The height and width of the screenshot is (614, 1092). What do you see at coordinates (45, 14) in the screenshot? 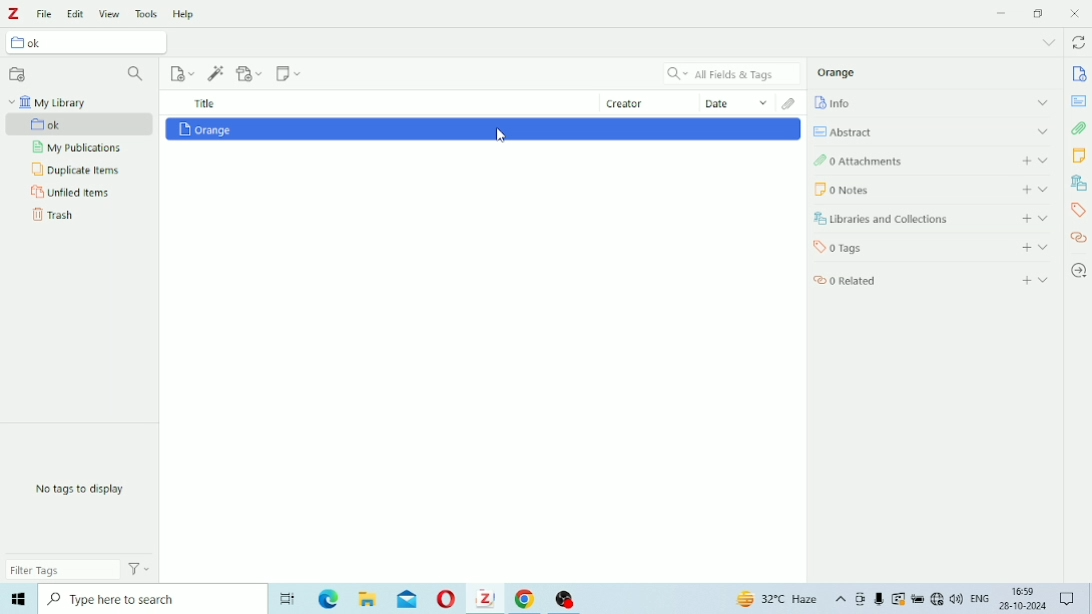
I see `File` at bounding box center [45, 14].